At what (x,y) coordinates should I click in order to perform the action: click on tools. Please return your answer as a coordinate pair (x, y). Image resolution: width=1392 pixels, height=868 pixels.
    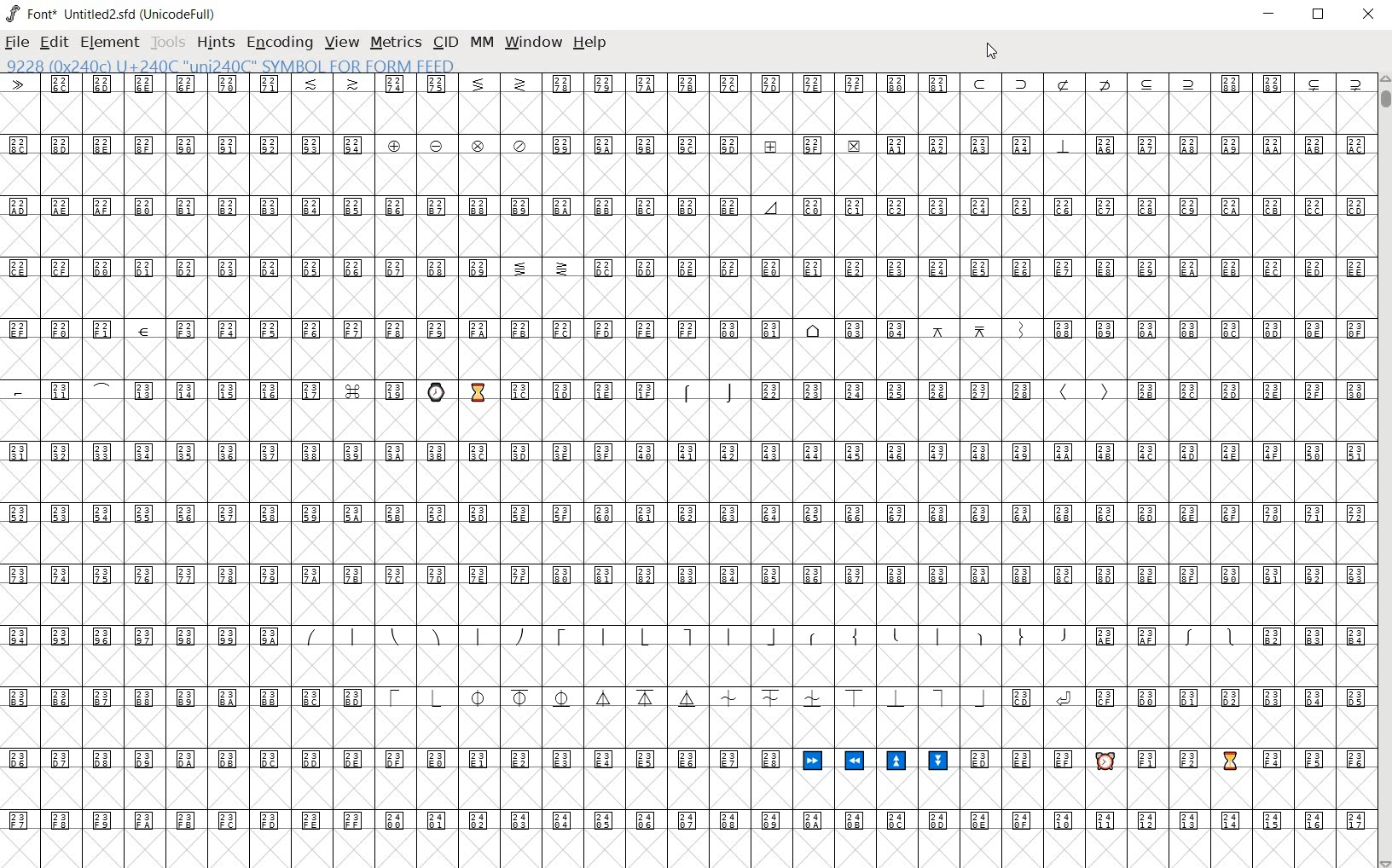
    Looking at the image, I should click on (167, 44).